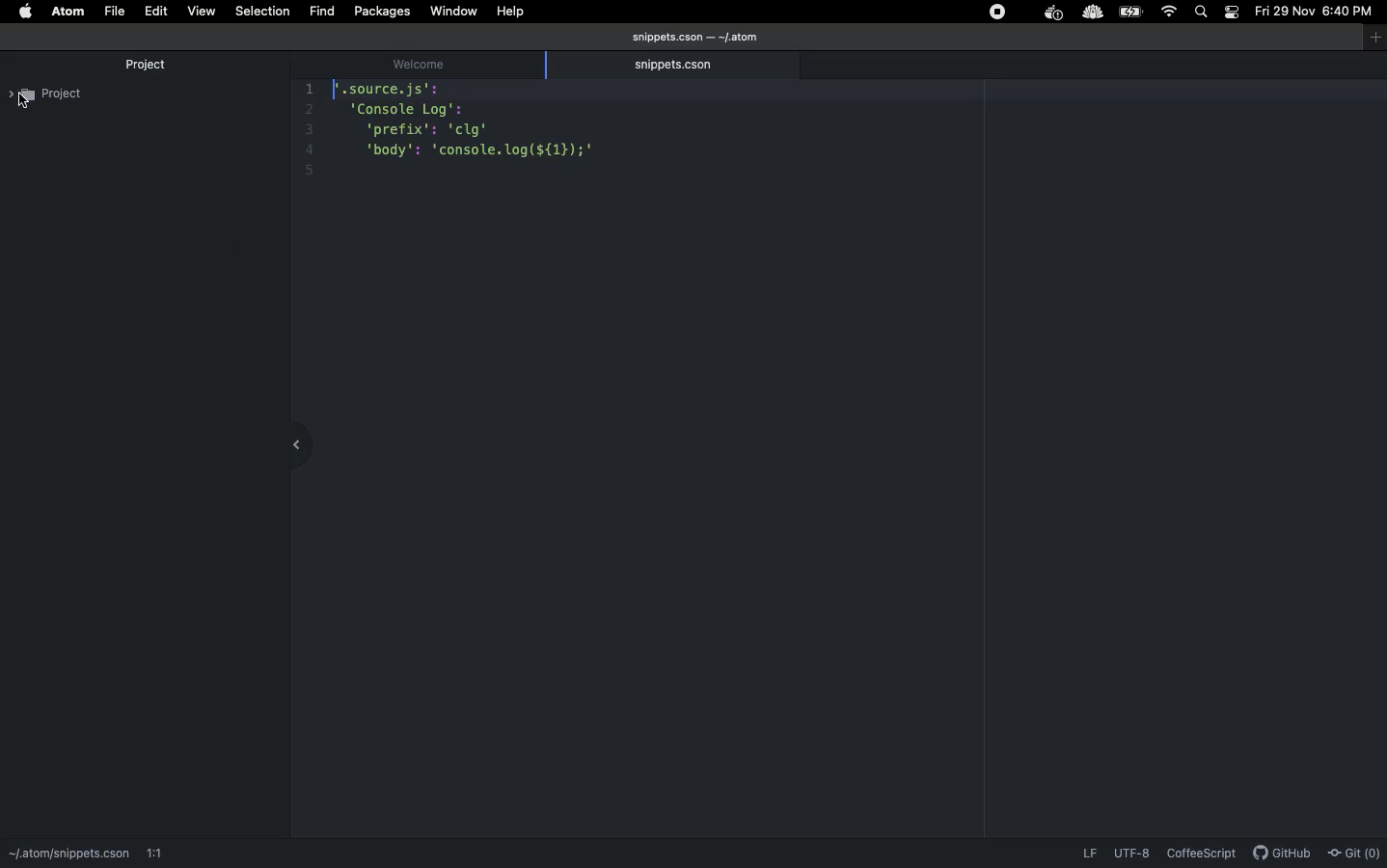 This screenshot has height=868, width=1387. What do you see at coordinates (1374, 38) in the screenshot?
I see `Window` at bounding box center [1374, 38].